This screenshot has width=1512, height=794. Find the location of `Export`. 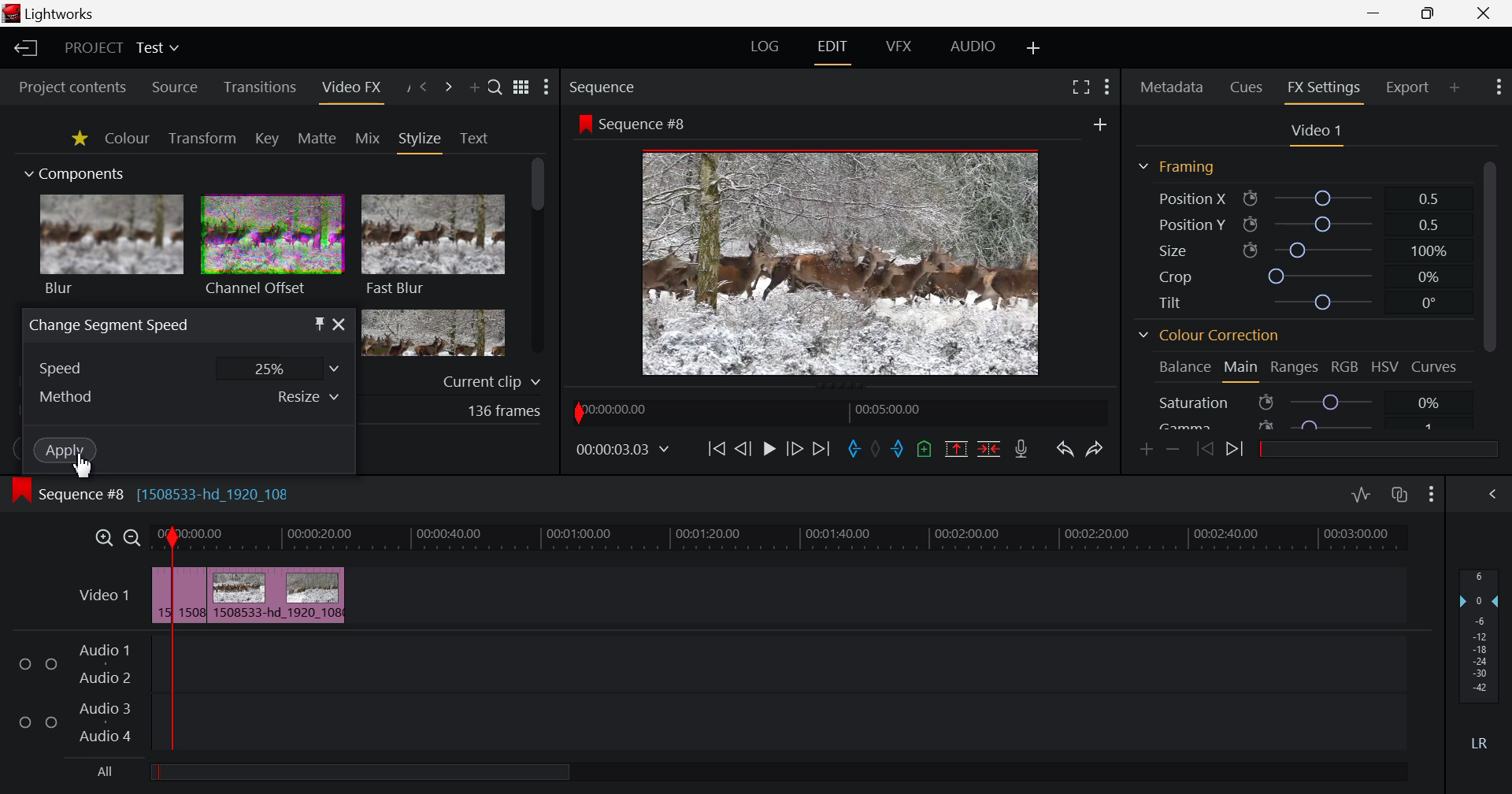

Export is located at coordinates (1409, 87).